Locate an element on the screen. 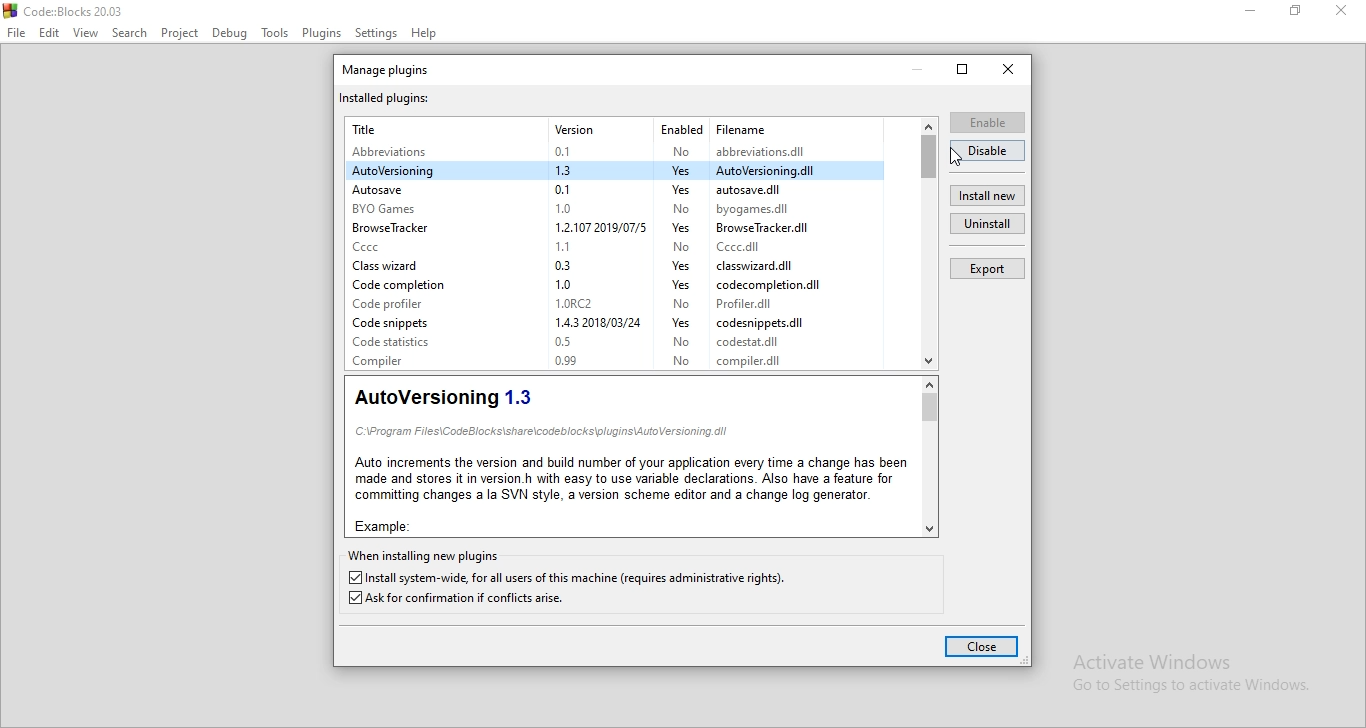 The width and height of the screenshot is (1366, 728). 1.0 is located at coordinates (564, 207).